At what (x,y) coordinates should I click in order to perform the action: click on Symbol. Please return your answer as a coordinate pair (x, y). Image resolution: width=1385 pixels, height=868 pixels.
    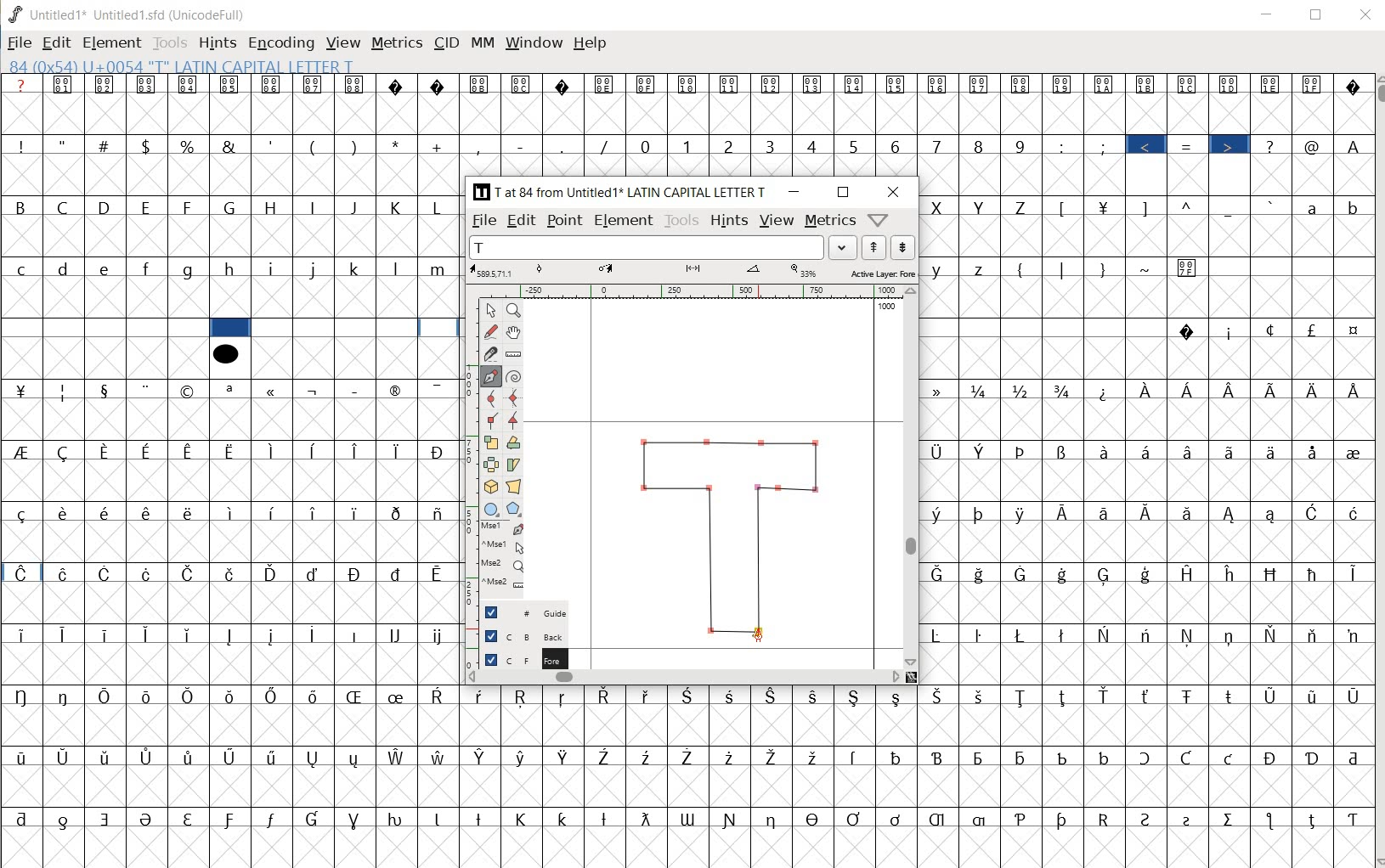
    Looking at the image, I should click on (565, 816).